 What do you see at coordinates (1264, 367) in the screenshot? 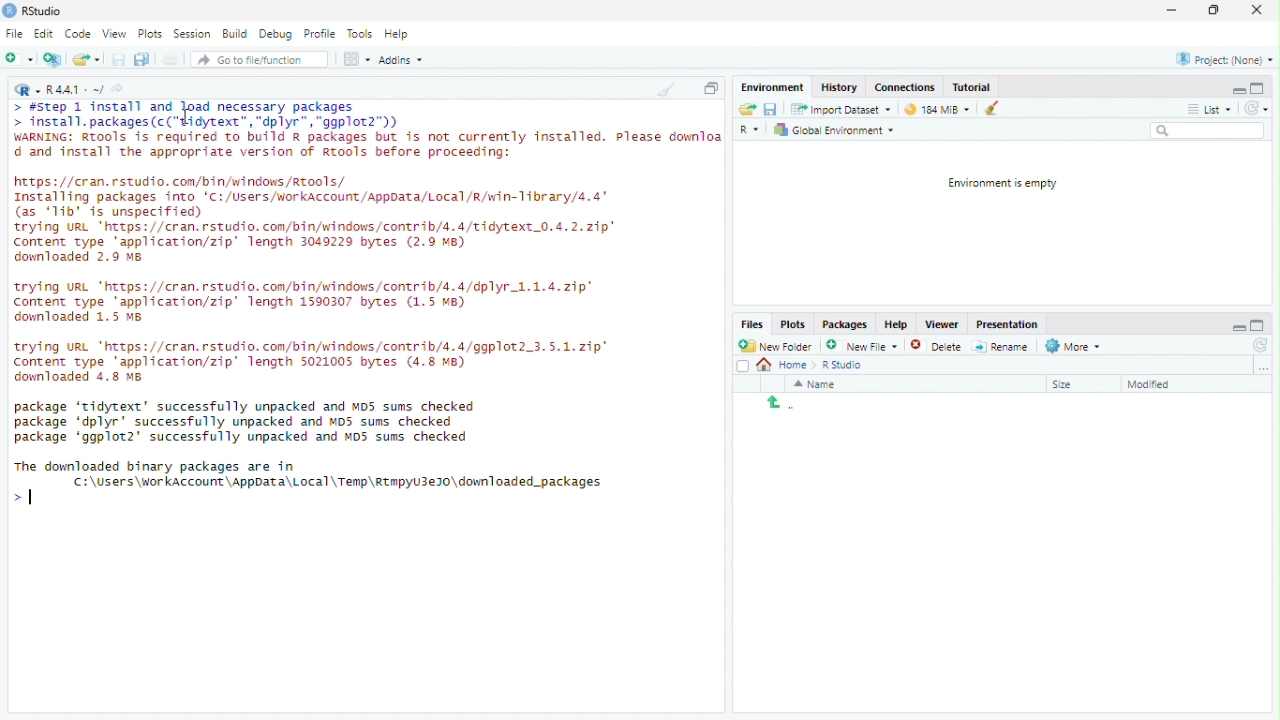
I see `Browse` at bounding box center [1264, 367].